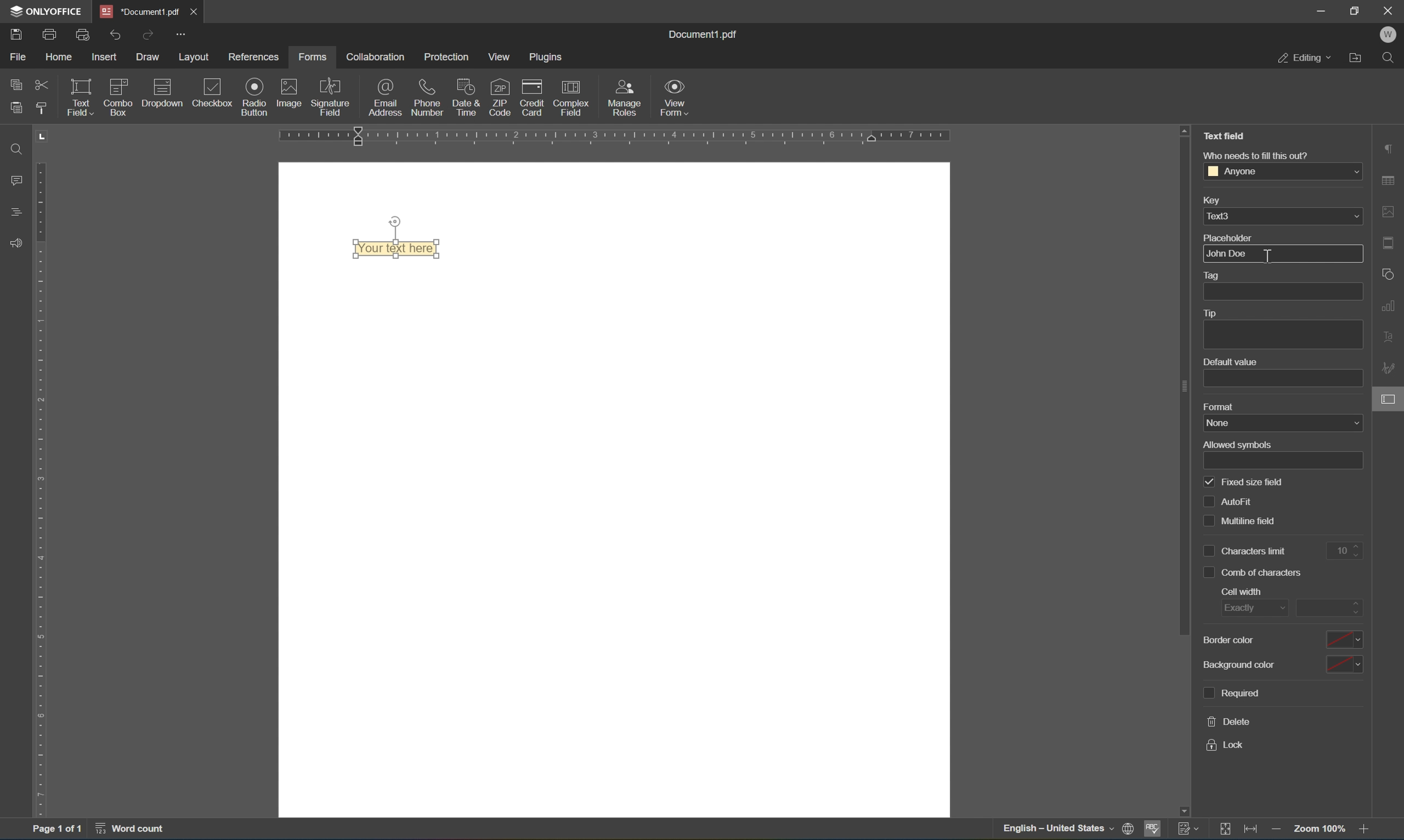 The image size is (1404, 840). Describe the element at coordinates (1252, 573) in the screenshot. I see `comb of characters` at that location.